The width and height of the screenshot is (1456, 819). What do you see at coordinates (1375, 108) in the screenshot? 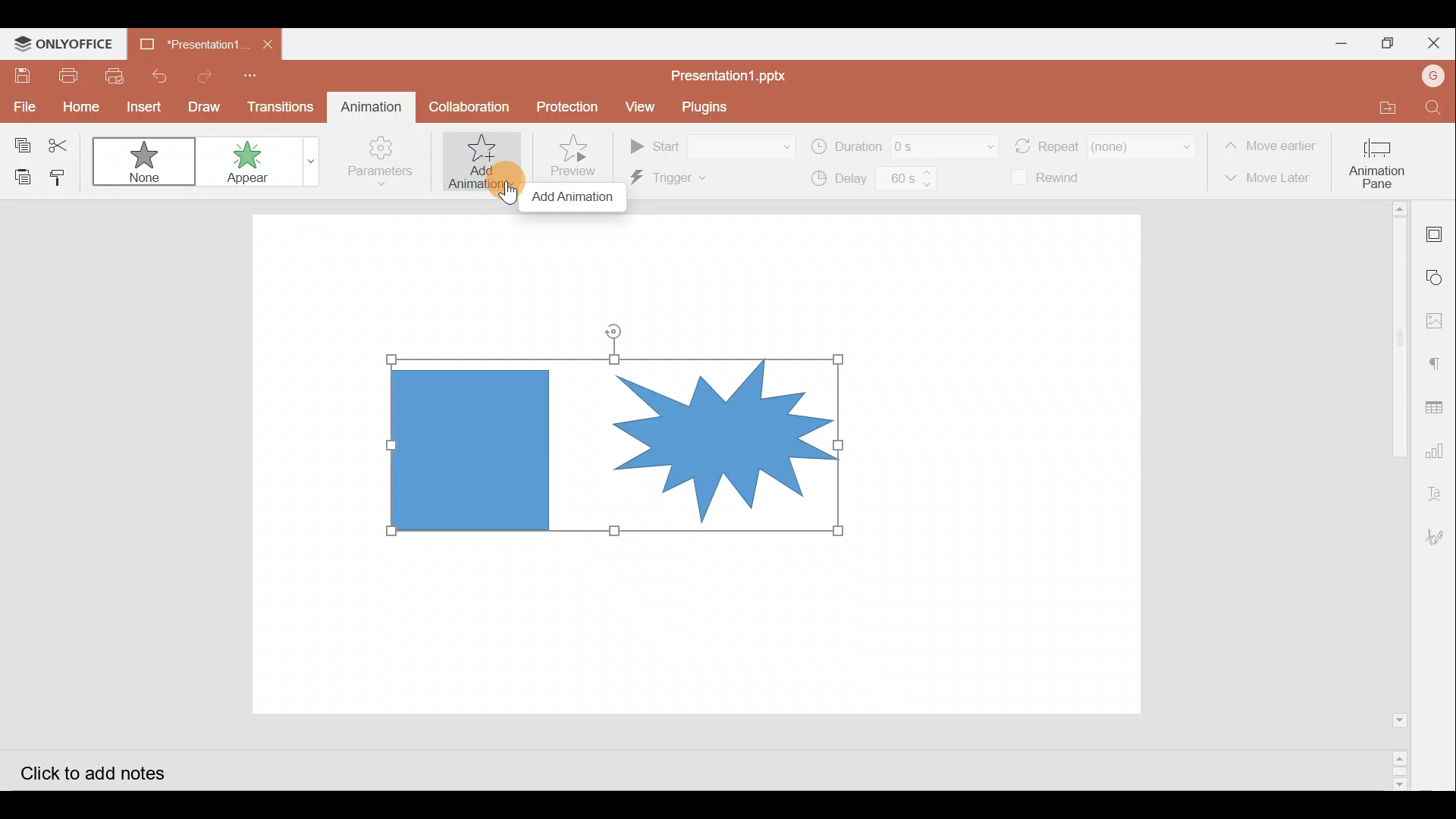
I see `Open file location` at bounding box center [1375, 108].